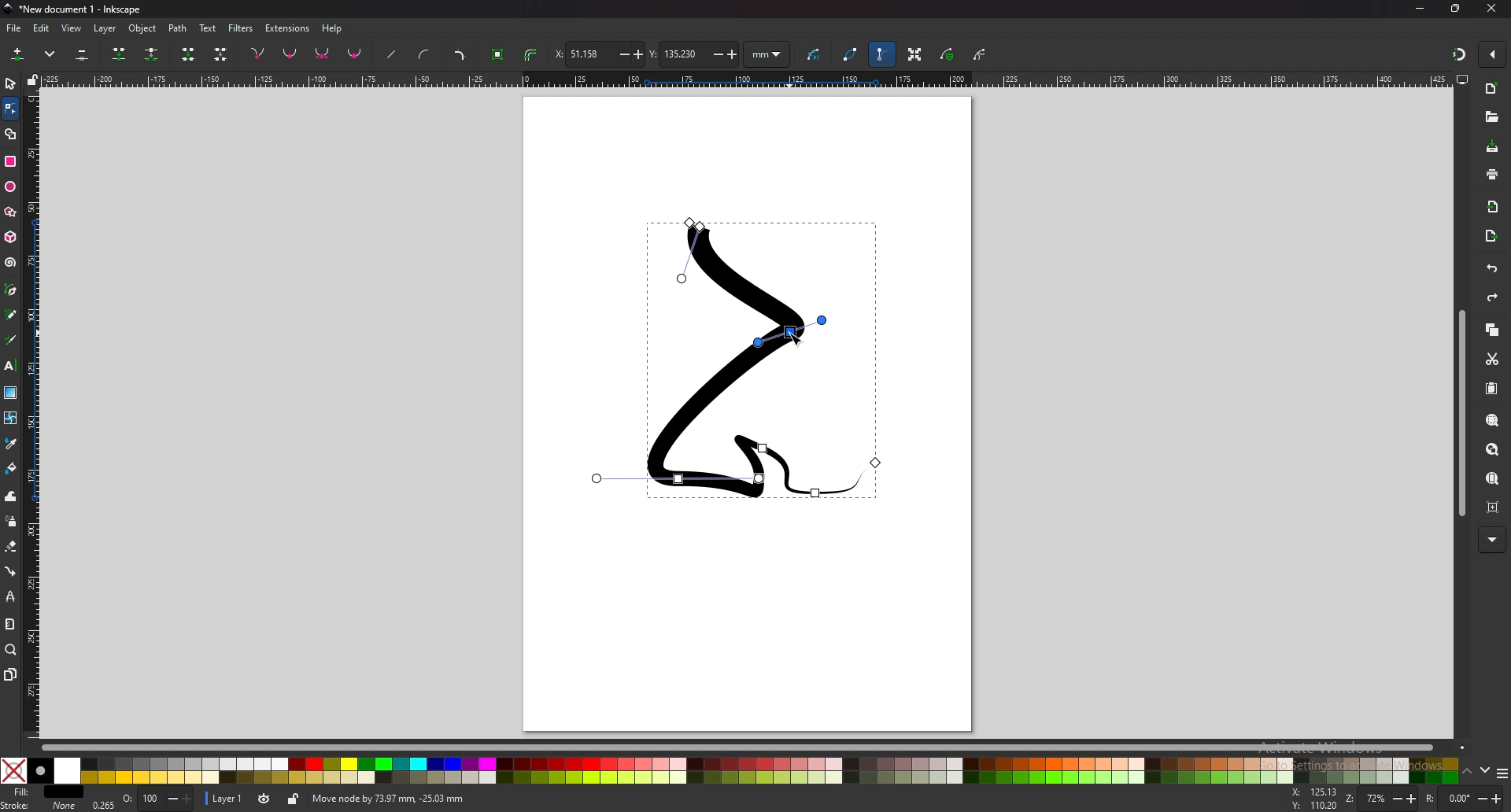 This screenshot has width=1511, height=812. Describe the element at coordinates (914, 54) in the screenshot. I see `show transformation handles` at that location.